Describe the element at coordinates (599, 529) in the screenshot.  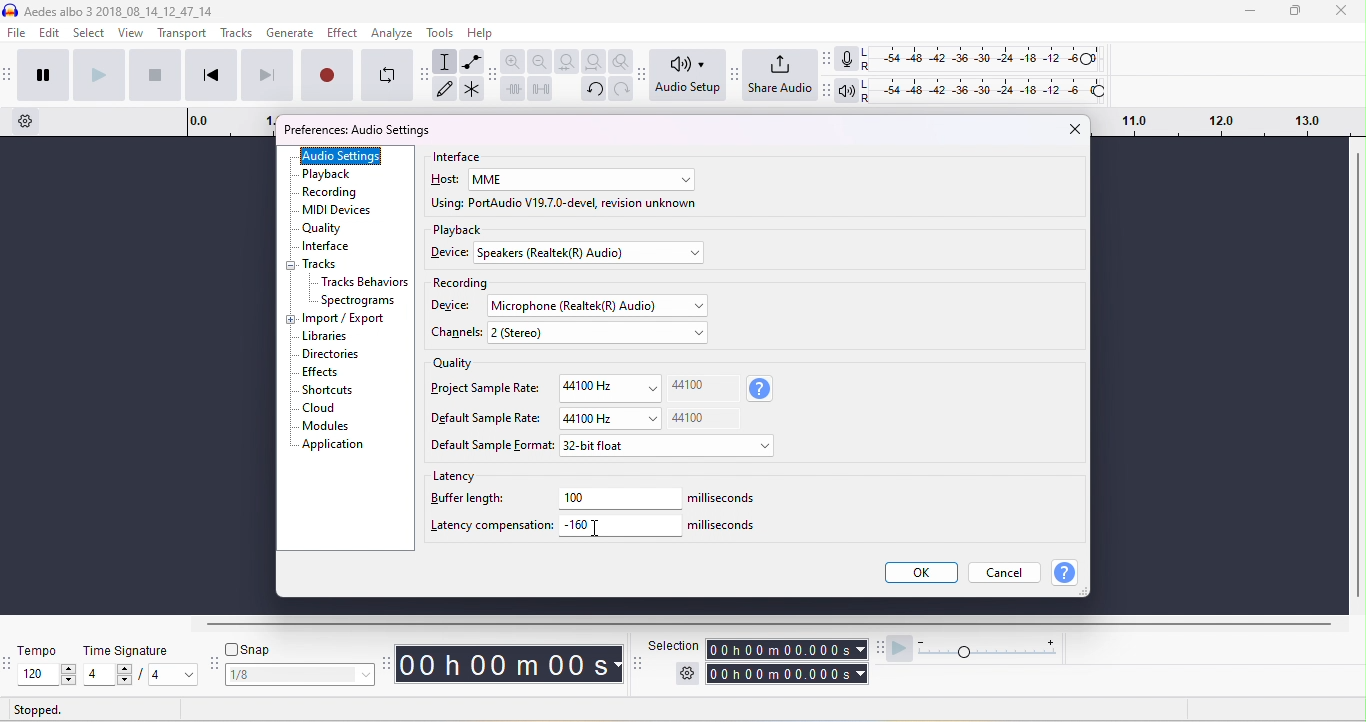
I see `typing cursor on latency compensation` at that location.